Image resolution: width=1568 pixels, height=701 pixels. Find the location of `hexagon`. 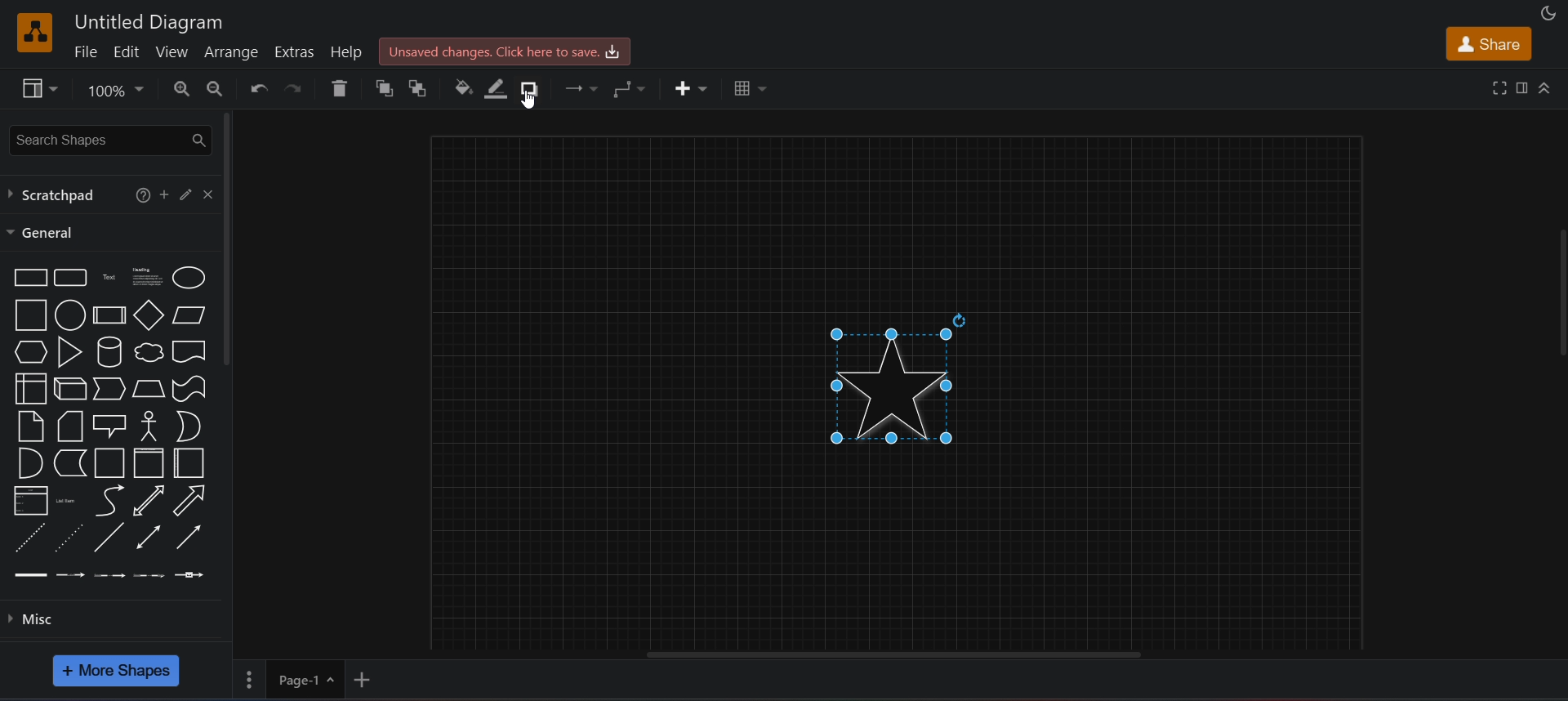

hexagon is located at coordinates (26, 352).